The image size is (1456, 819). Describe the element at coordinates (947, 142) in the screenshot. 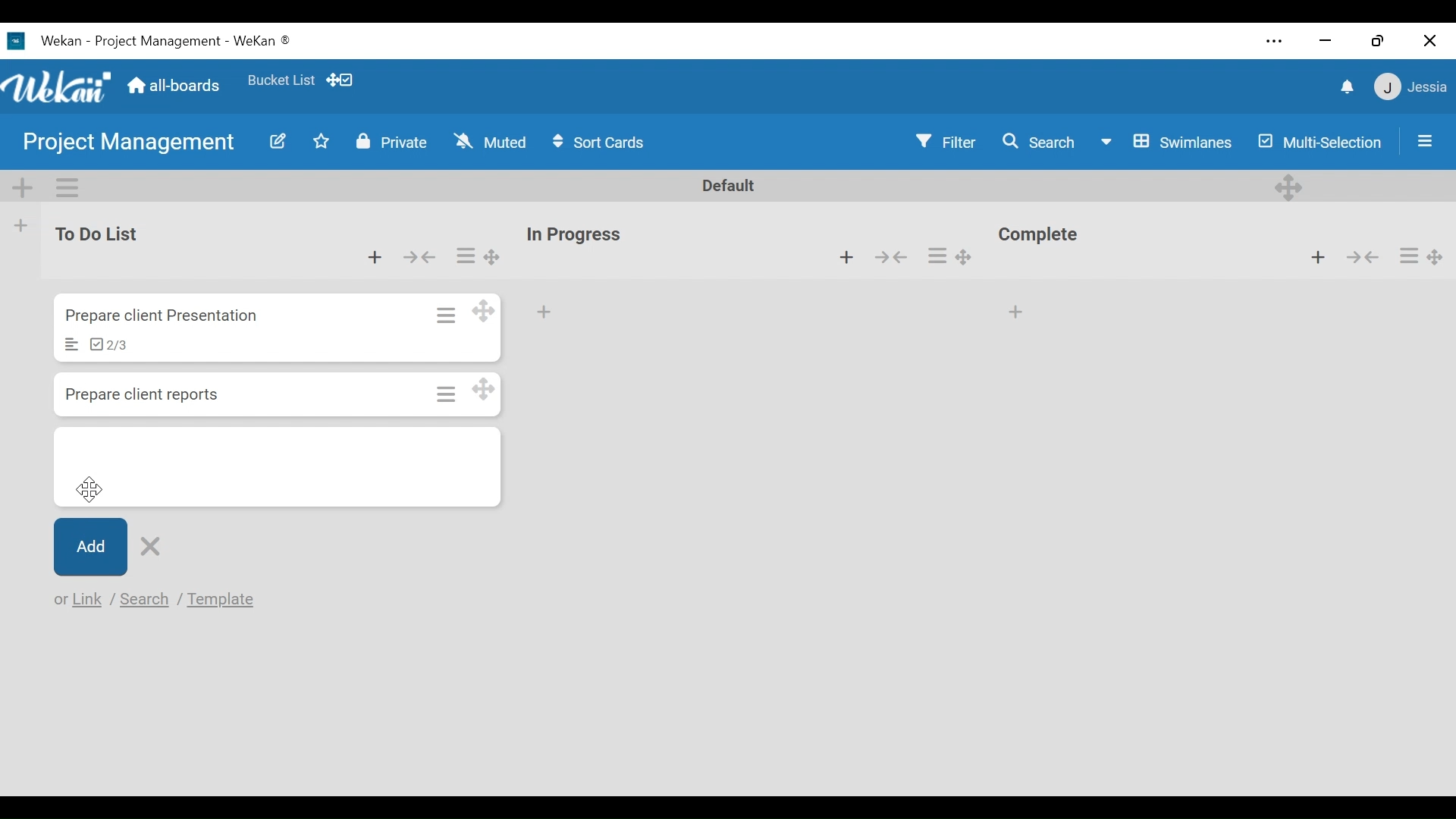

I see `Filter` at that location.